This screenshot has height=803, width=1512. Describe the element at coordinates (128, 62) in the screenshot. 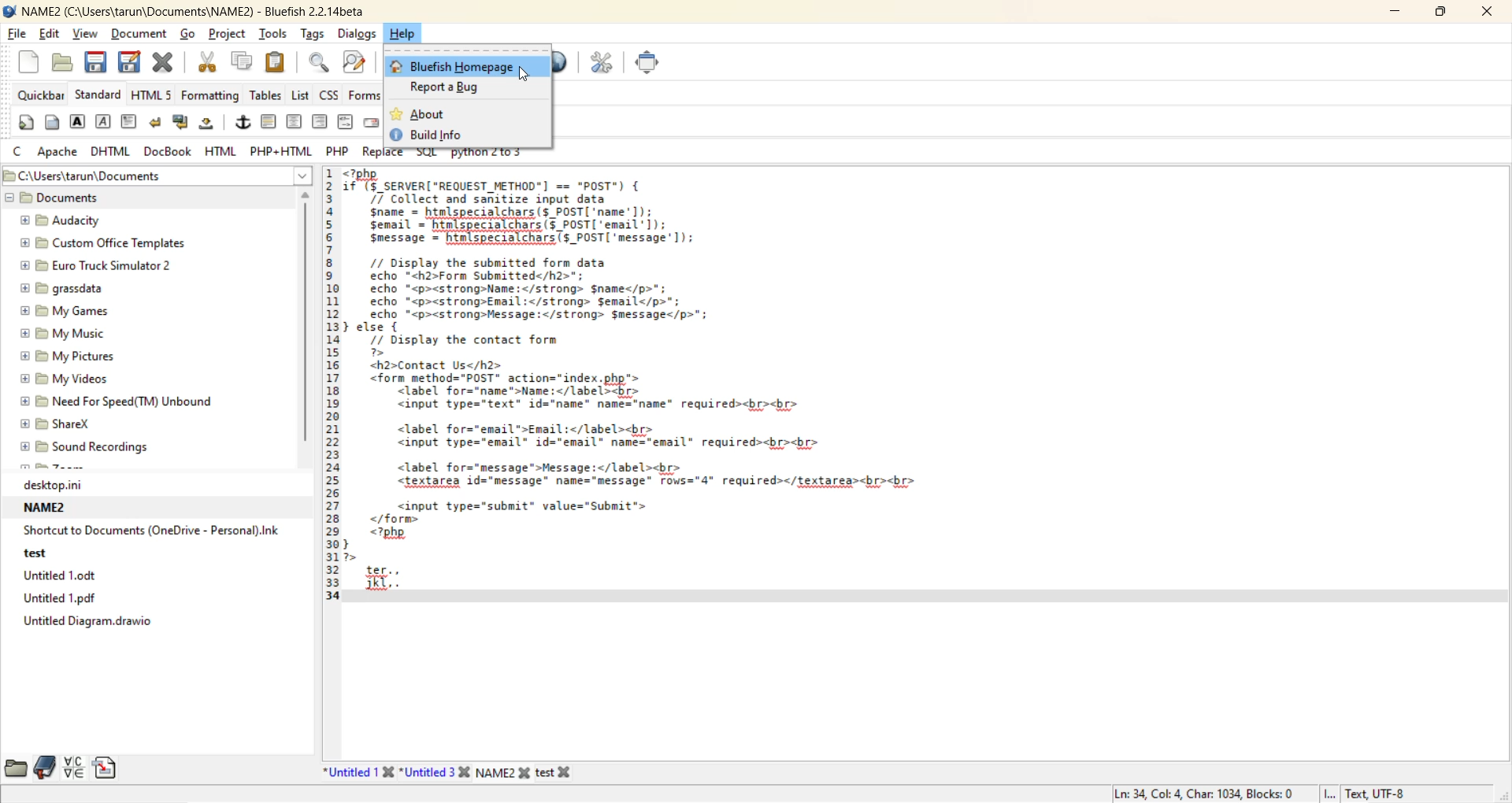

I see `save as` at that location.